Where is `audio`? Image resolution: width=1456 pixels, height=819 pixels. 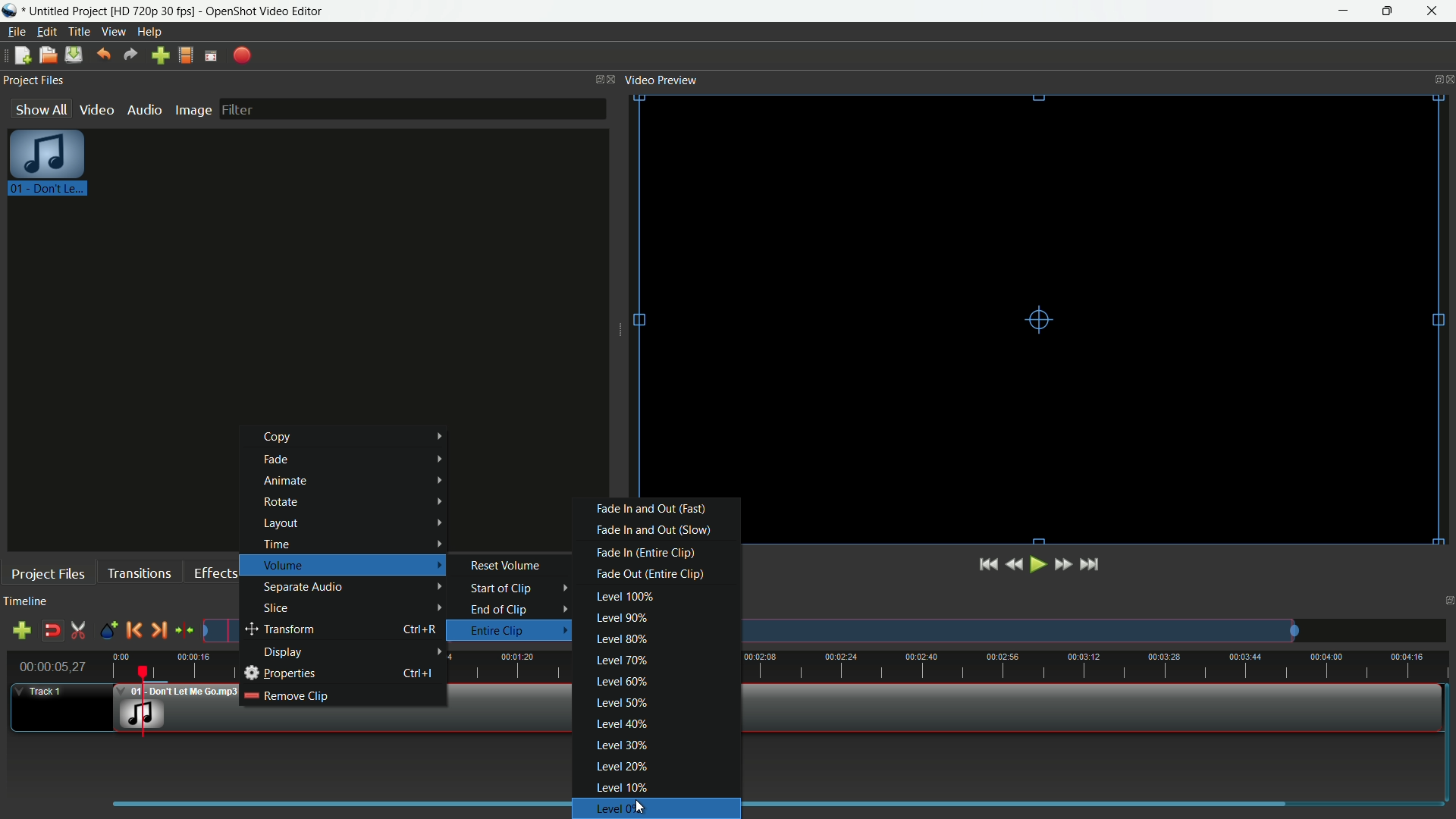
audio is located at coordinates (143, 109).